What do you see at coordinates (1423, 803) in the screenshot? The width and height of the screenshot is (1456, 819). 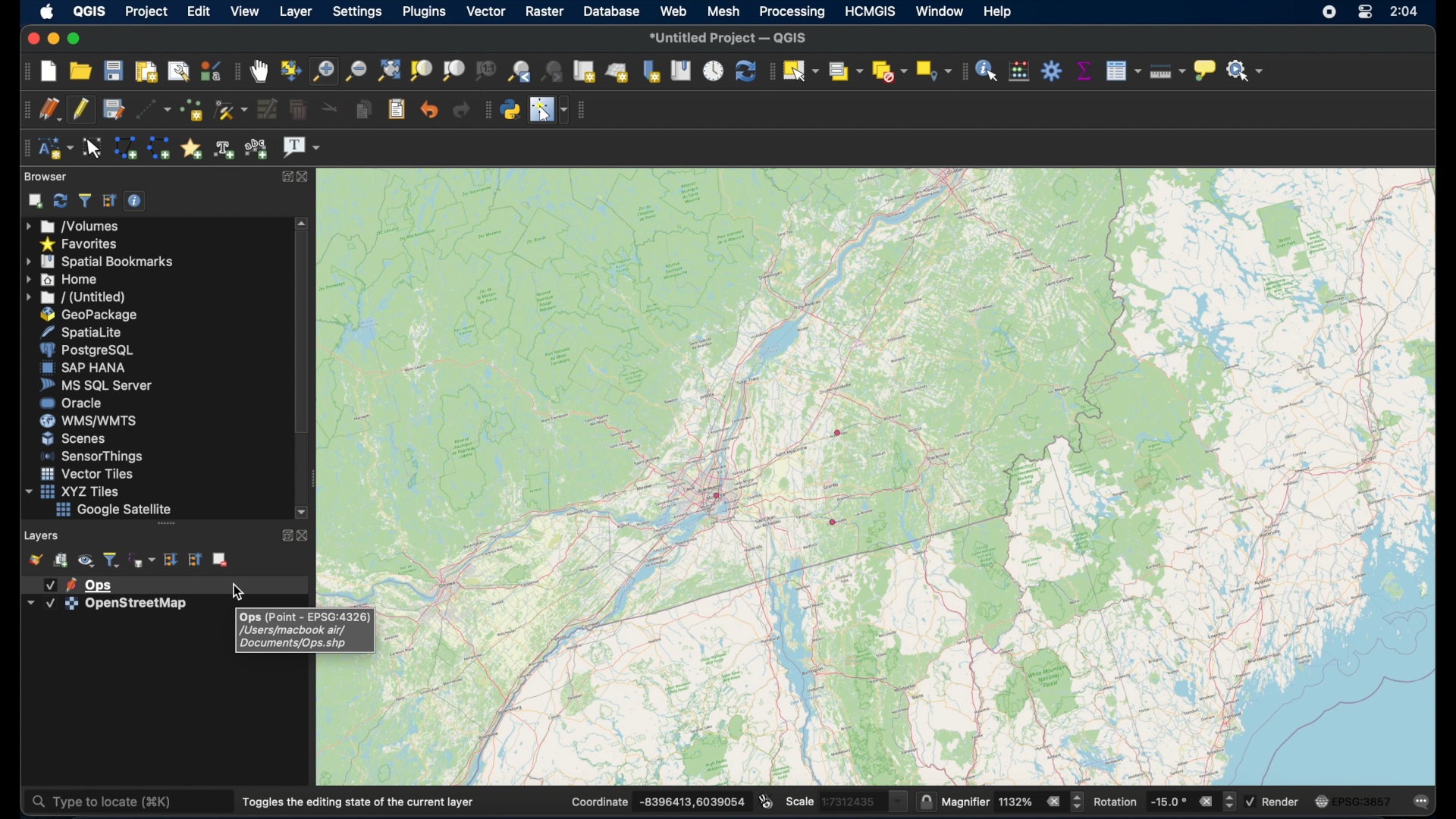 I see `comments` at bounding box center [1423, 803].